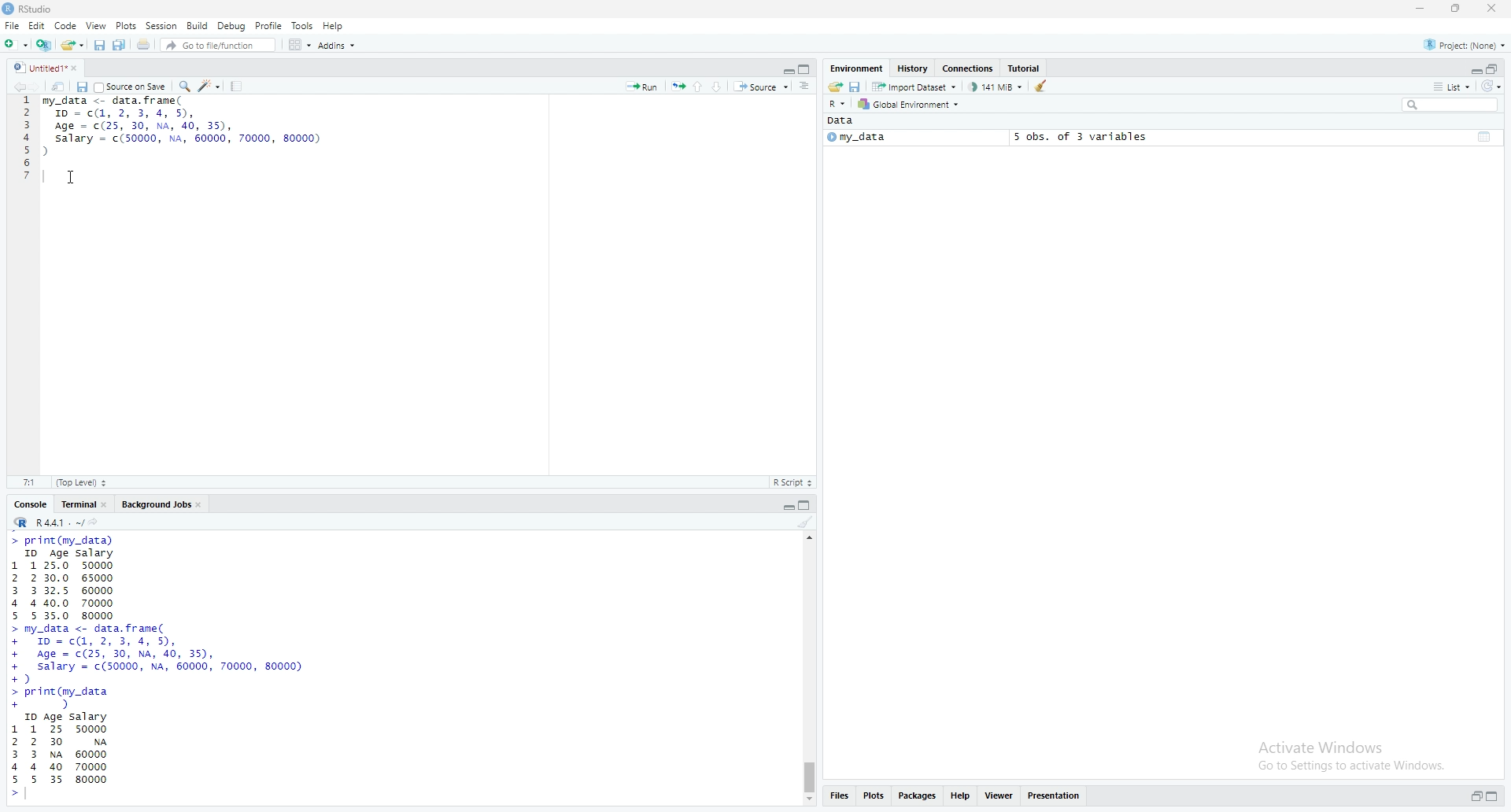 Image resolution: width=1511 pixels, height=812 pixels. I want to click on collapse, so click(1494, 69).